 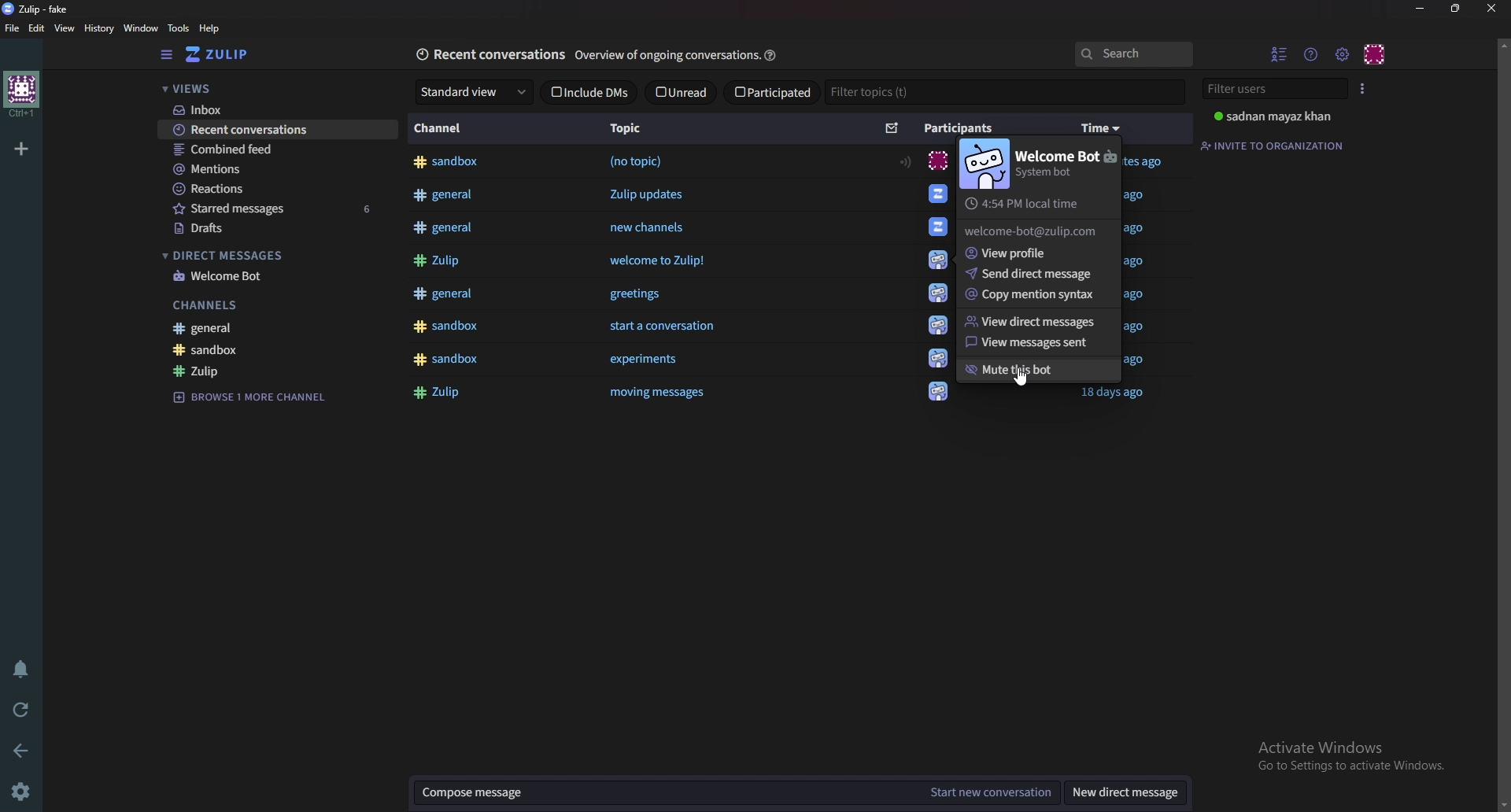 I want to click on Local time, so click(x=1030, y=205).